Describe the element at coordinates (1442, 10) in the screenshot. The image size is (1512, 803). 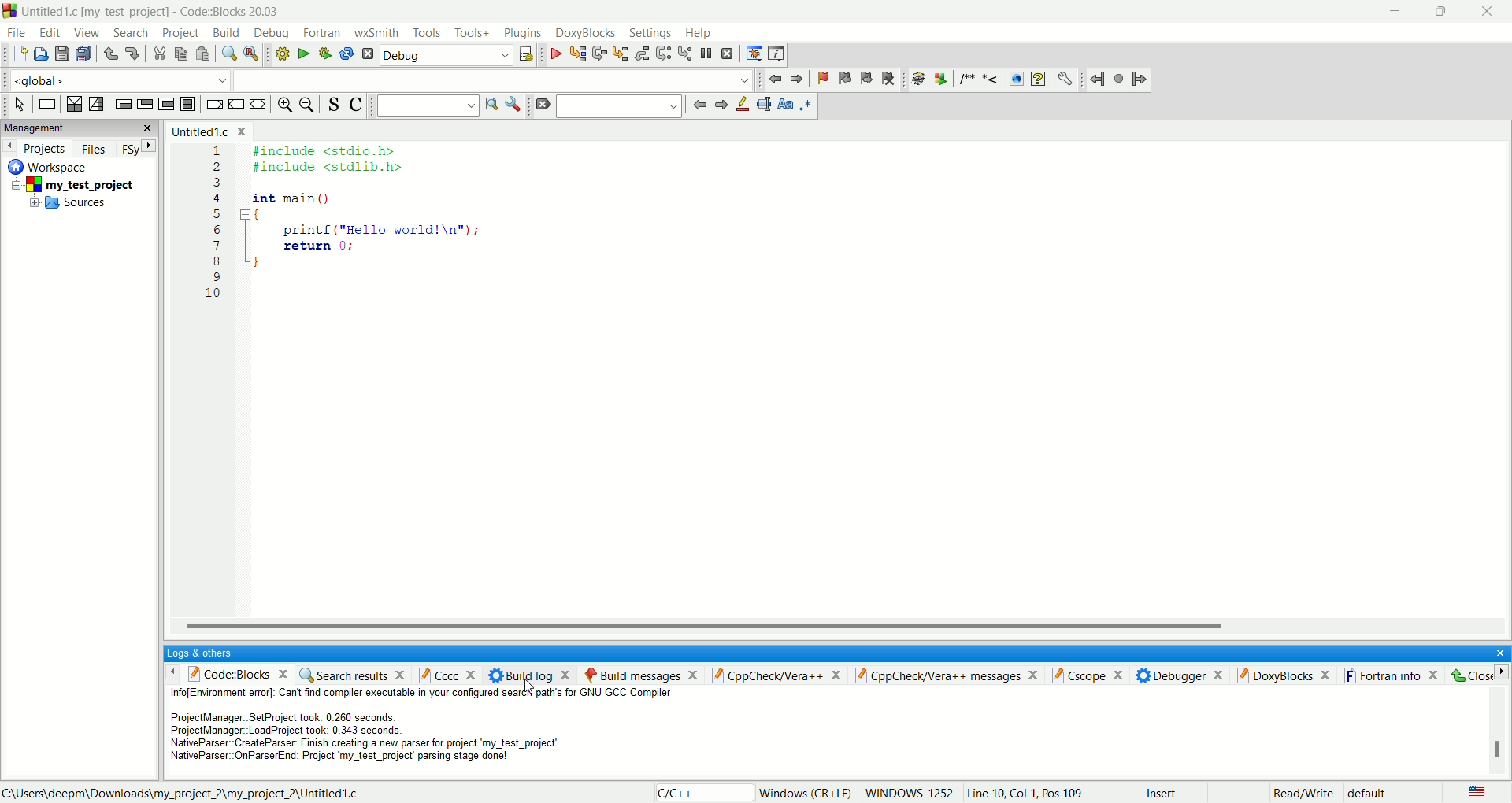
I see `maximize` at that location.